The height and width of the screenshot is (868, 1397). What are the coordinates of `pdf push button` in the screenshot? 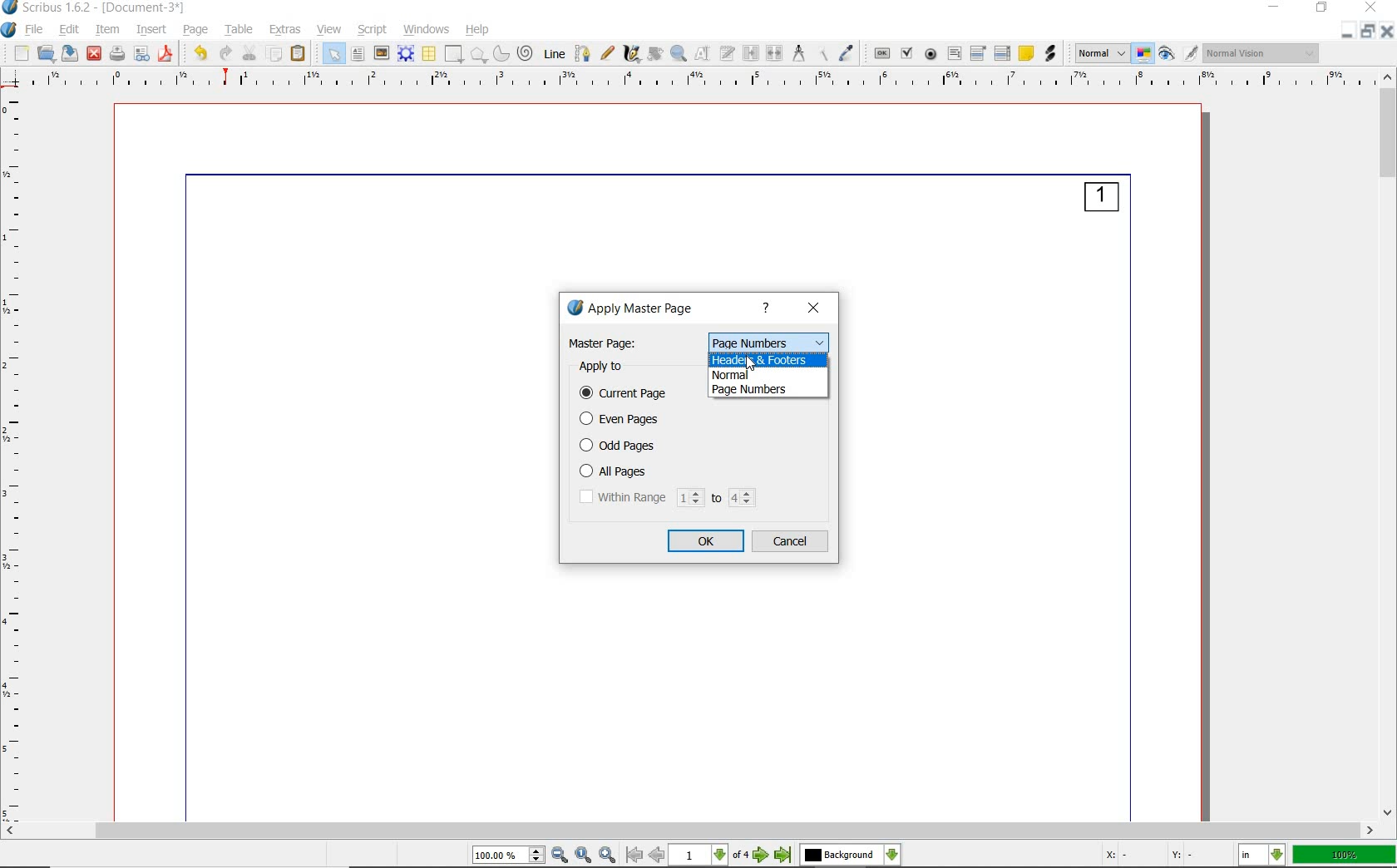 It's located at (881, 52).